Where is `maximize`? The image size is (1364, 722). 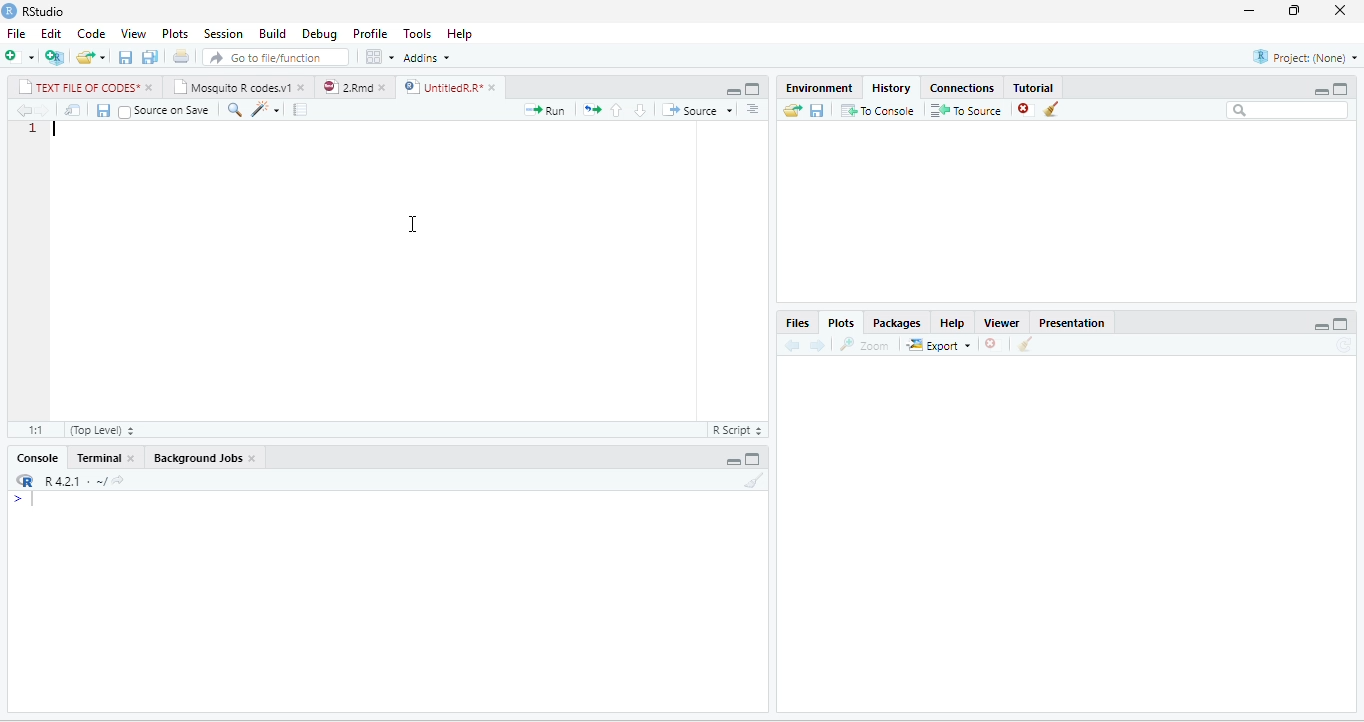 maximize is located at coordinates (752, 458).